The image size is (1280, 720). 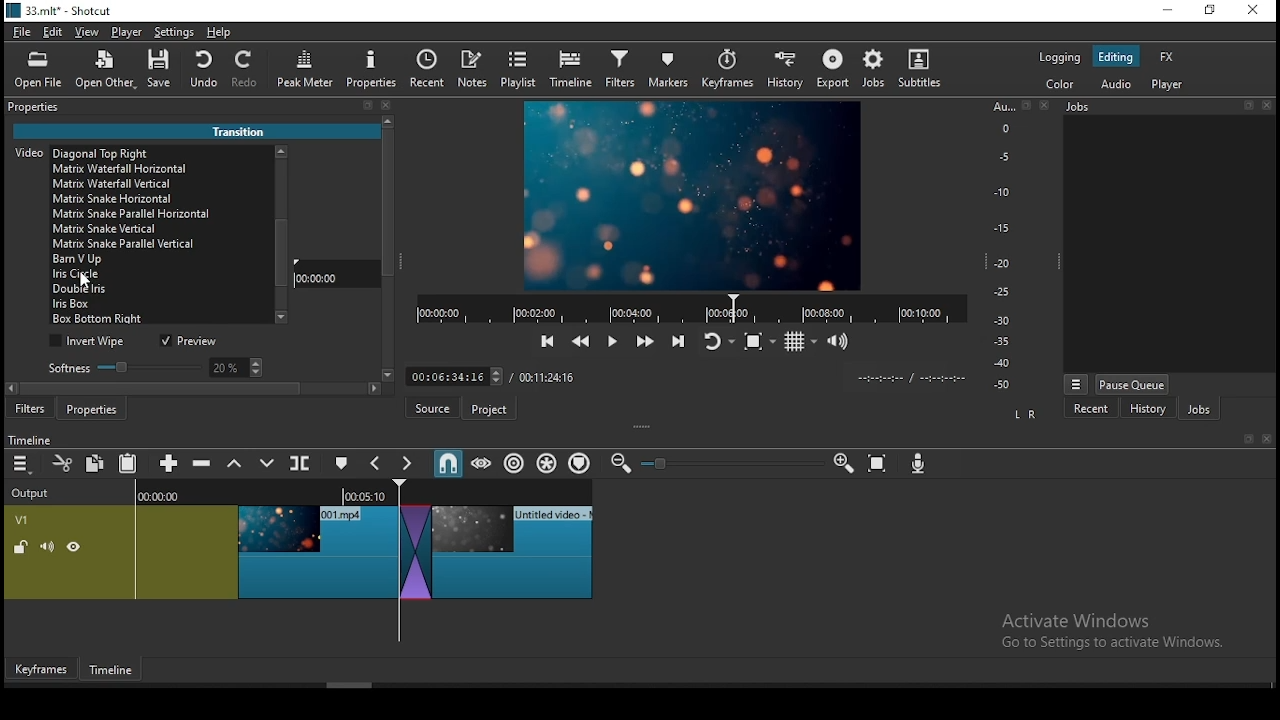 I want to click on filters, so click(x=619, y=70).